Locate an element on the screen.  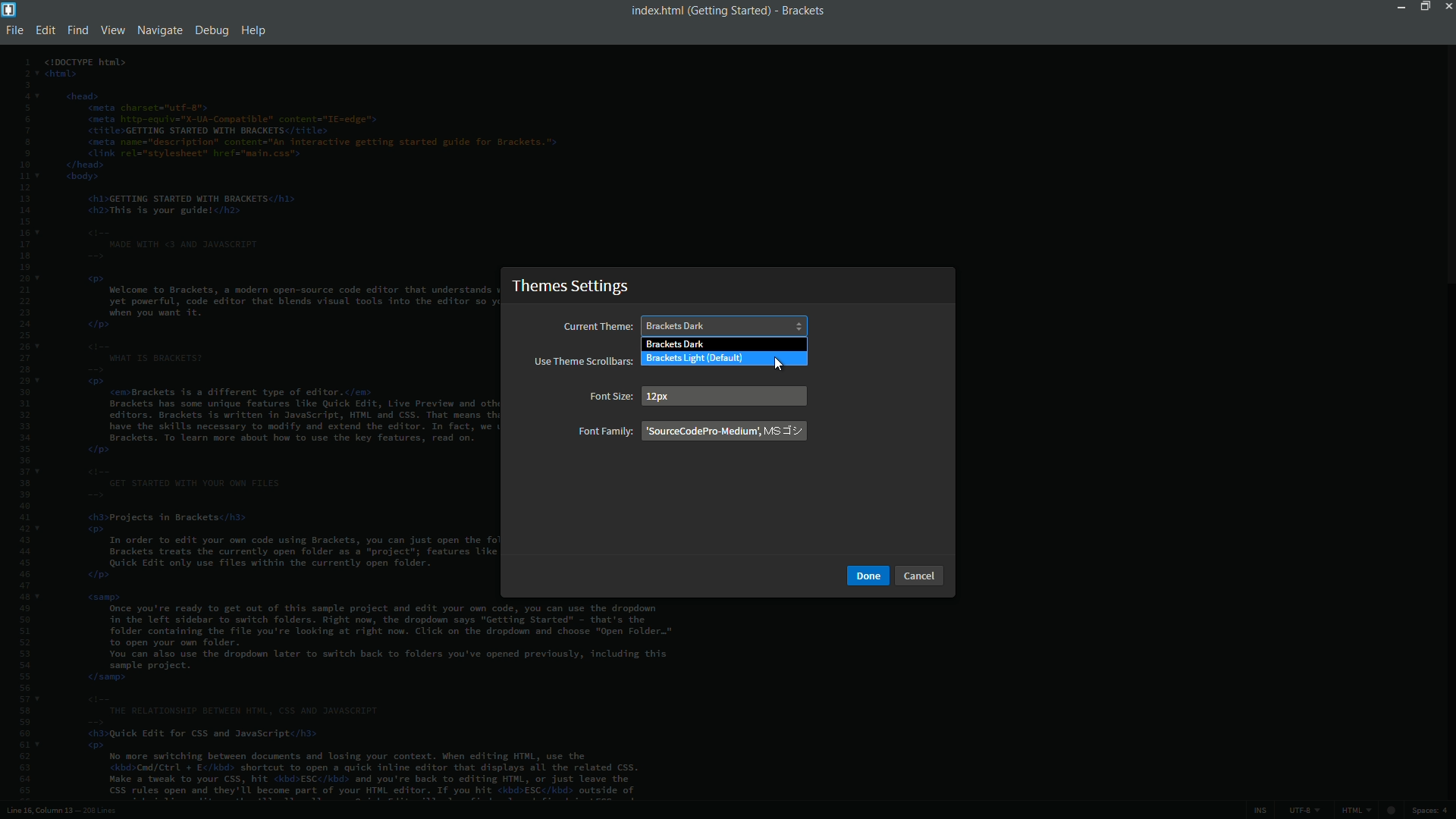
close app is located at coordinates (1447, 6).